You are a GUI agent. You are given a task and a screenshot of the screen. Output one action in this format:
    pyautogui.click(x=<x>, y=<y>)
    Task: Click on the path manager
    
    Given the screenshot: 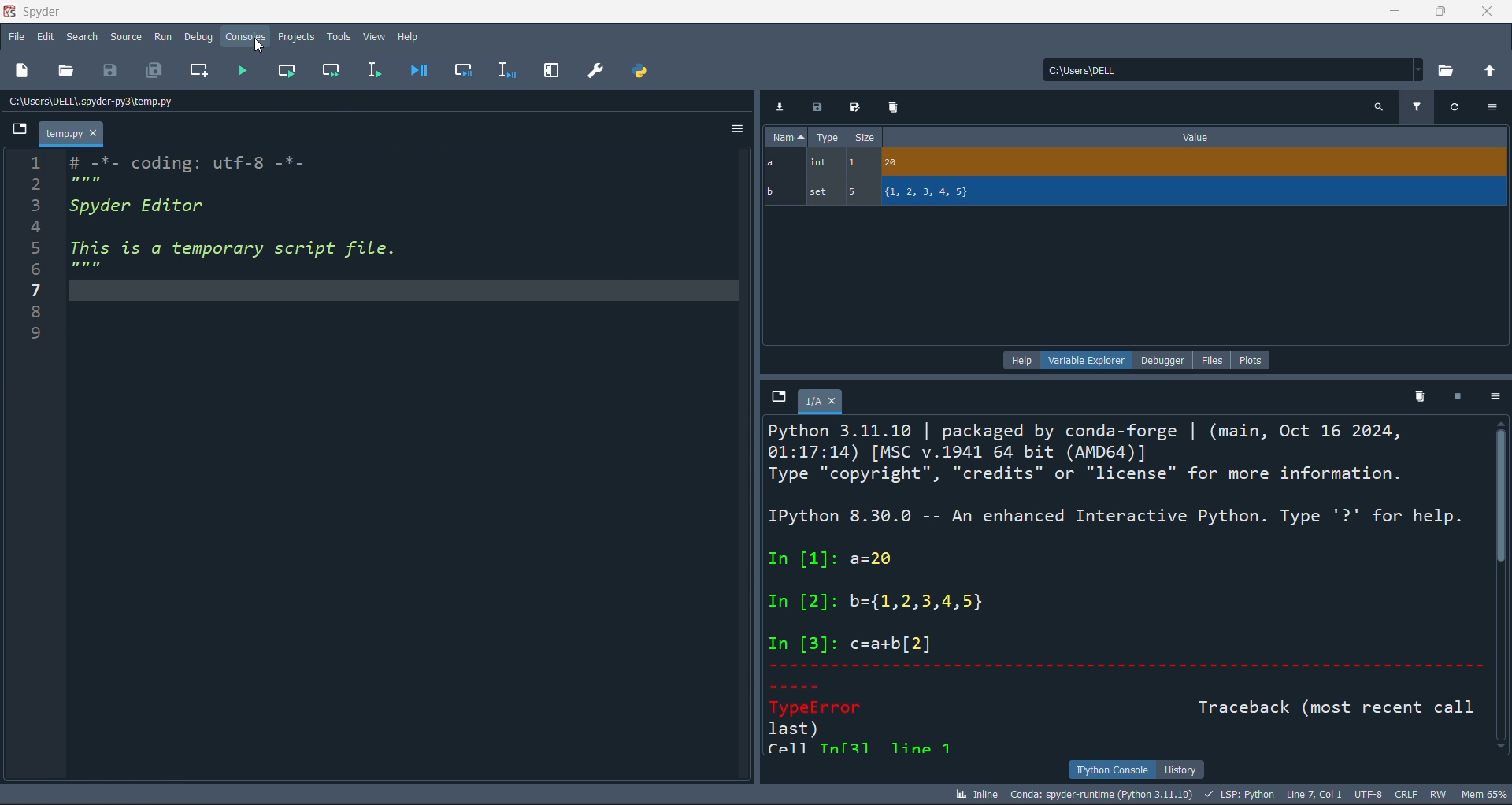 What is the action you would take?
    pyautogui.click(x=643, y=72)
    